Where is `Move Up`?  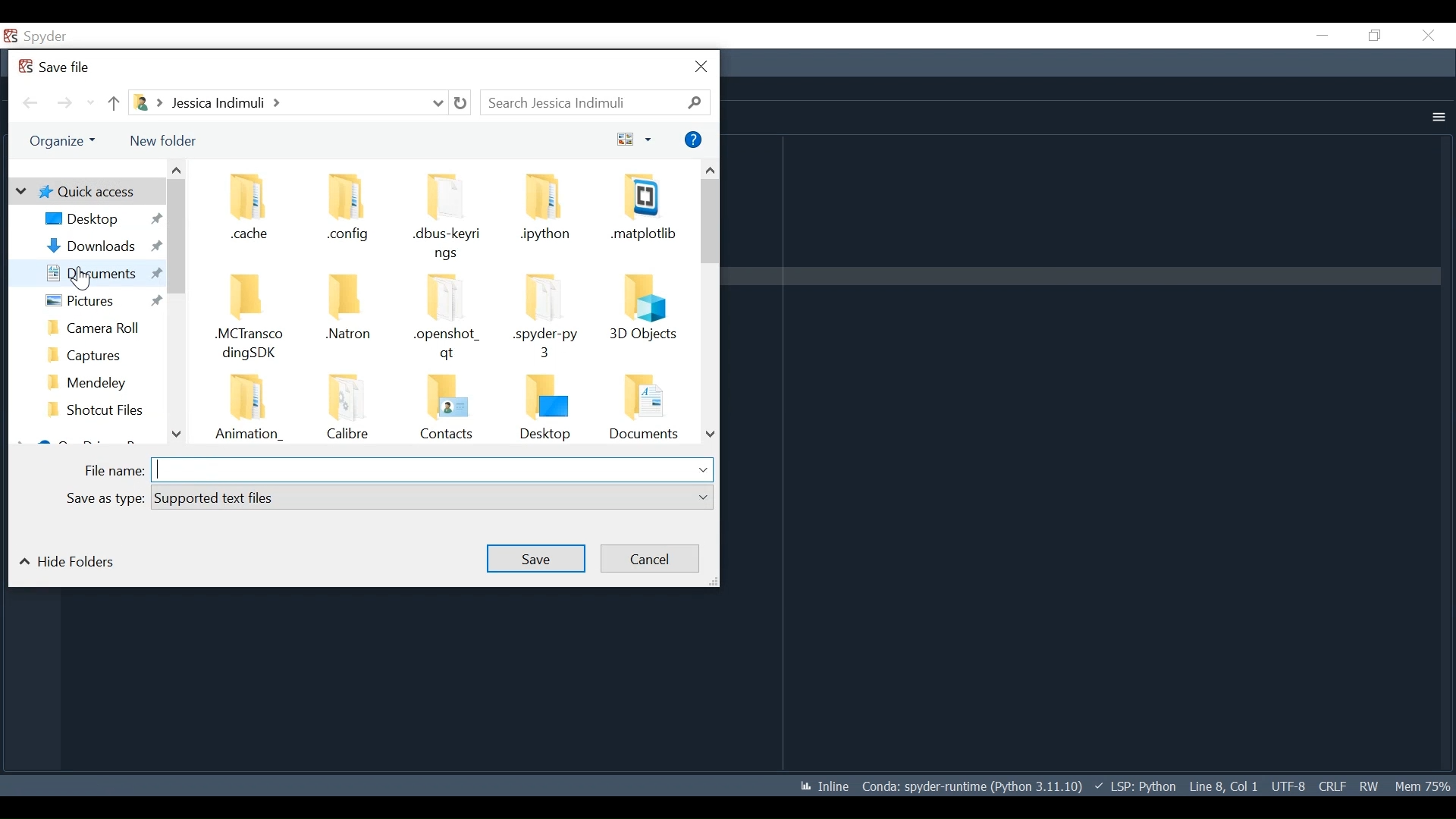
Move Up is located at coordinates (115, 104).